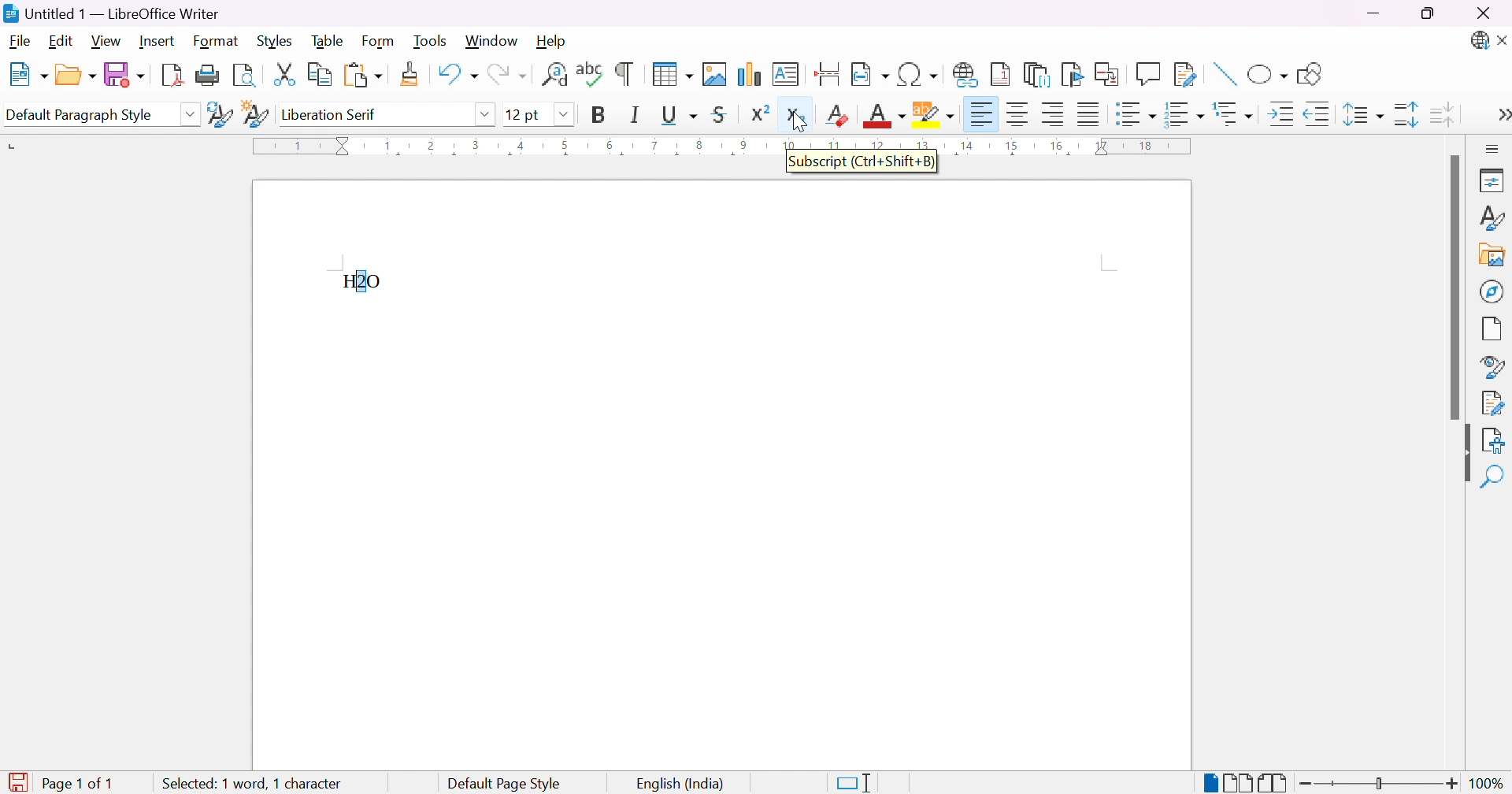 This screenshot has height=794, width=1512. I want to click on Help, so click(552, 39).